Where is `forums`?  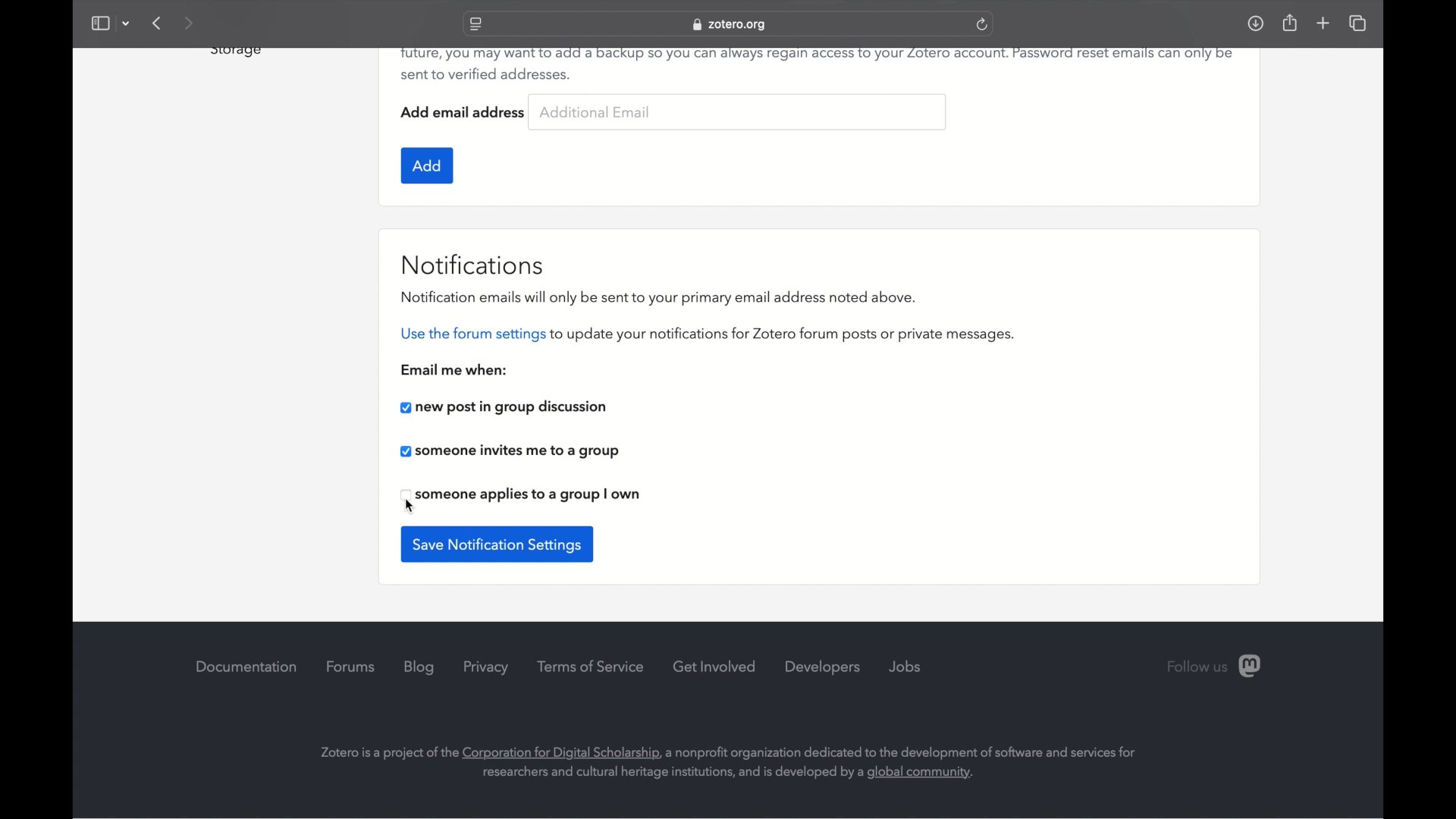 forums is located at coordinates (351, 667).